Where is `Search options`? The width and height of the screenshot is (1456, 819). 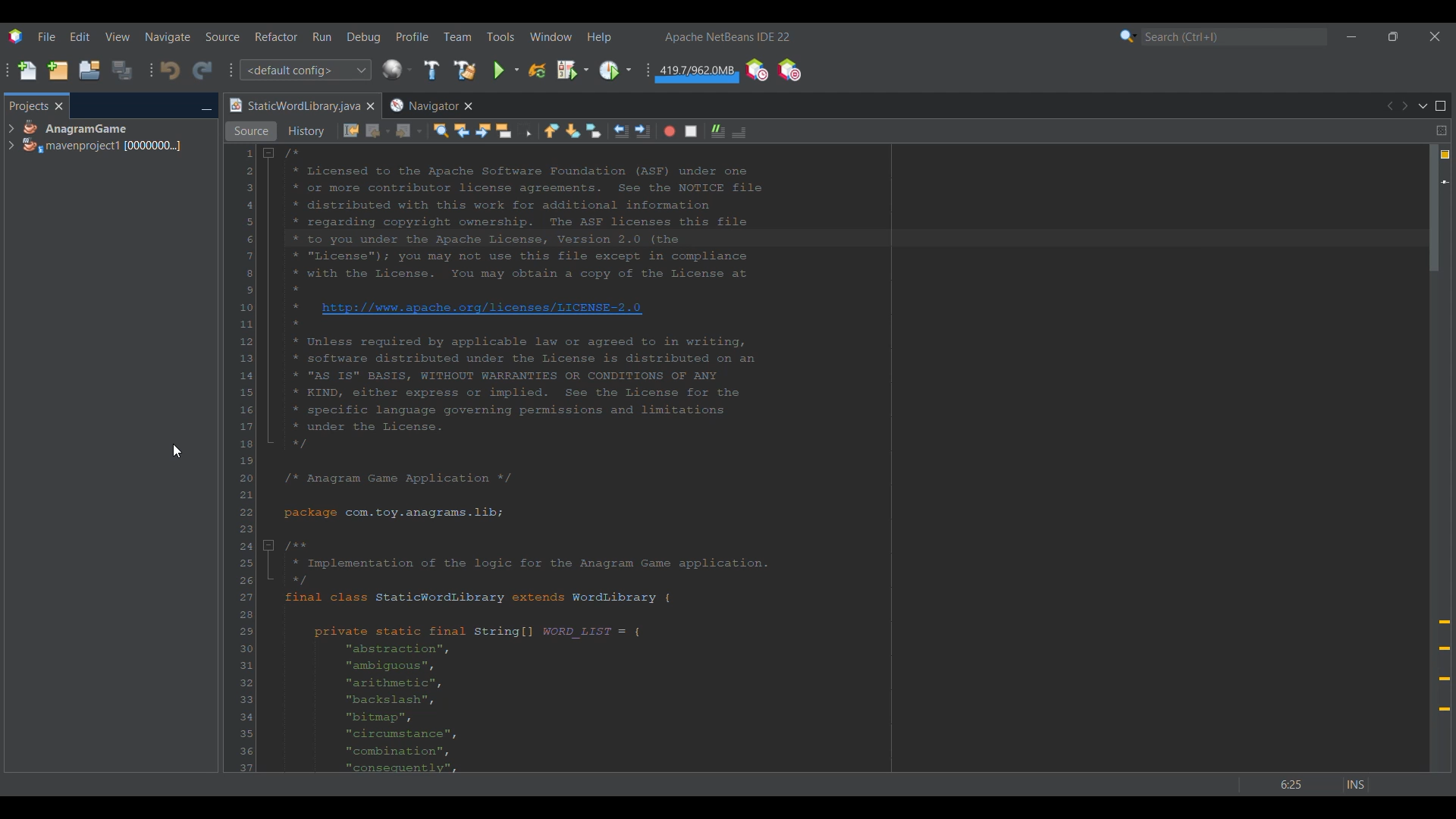
Search options is located at coordinates (1128, 36).